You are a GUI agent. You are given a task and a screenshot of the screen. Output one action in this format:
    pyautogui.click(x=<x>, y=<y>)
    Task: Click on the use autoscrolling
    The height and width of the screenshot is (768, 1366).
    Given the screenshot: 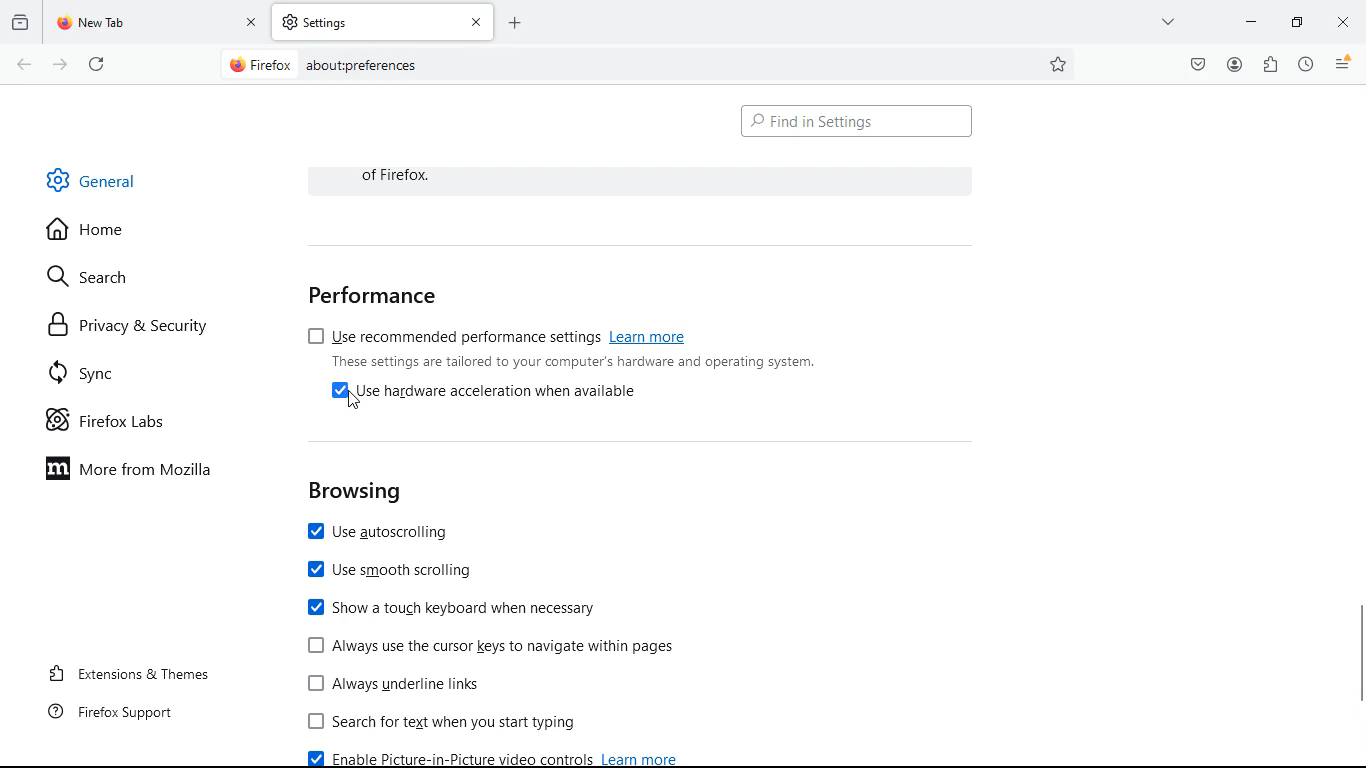 What is the action you would take?
    pyautogui.click(x=386, y=531)
    